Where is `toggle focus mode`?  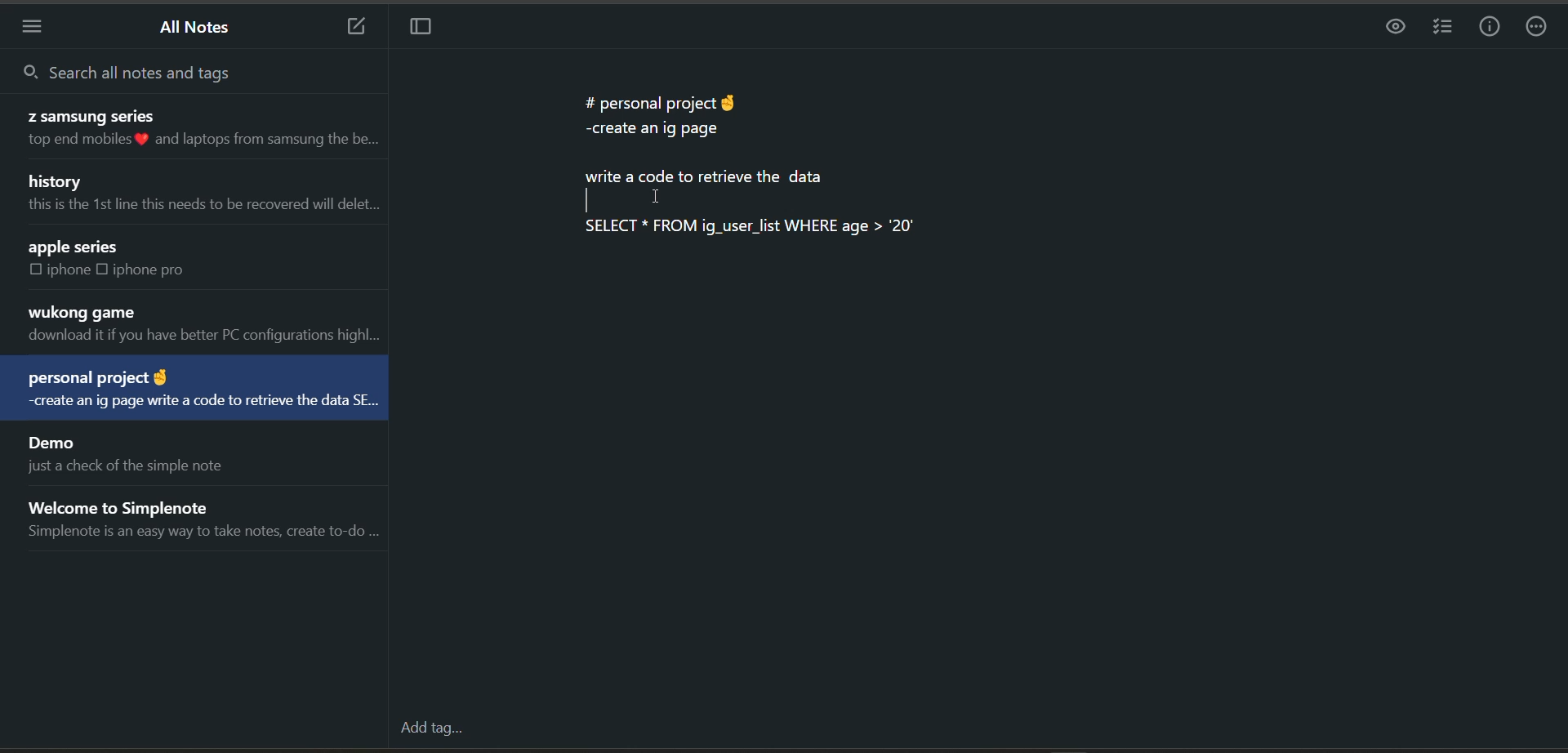
toggle focus mode is located at coordinates (425, 30).